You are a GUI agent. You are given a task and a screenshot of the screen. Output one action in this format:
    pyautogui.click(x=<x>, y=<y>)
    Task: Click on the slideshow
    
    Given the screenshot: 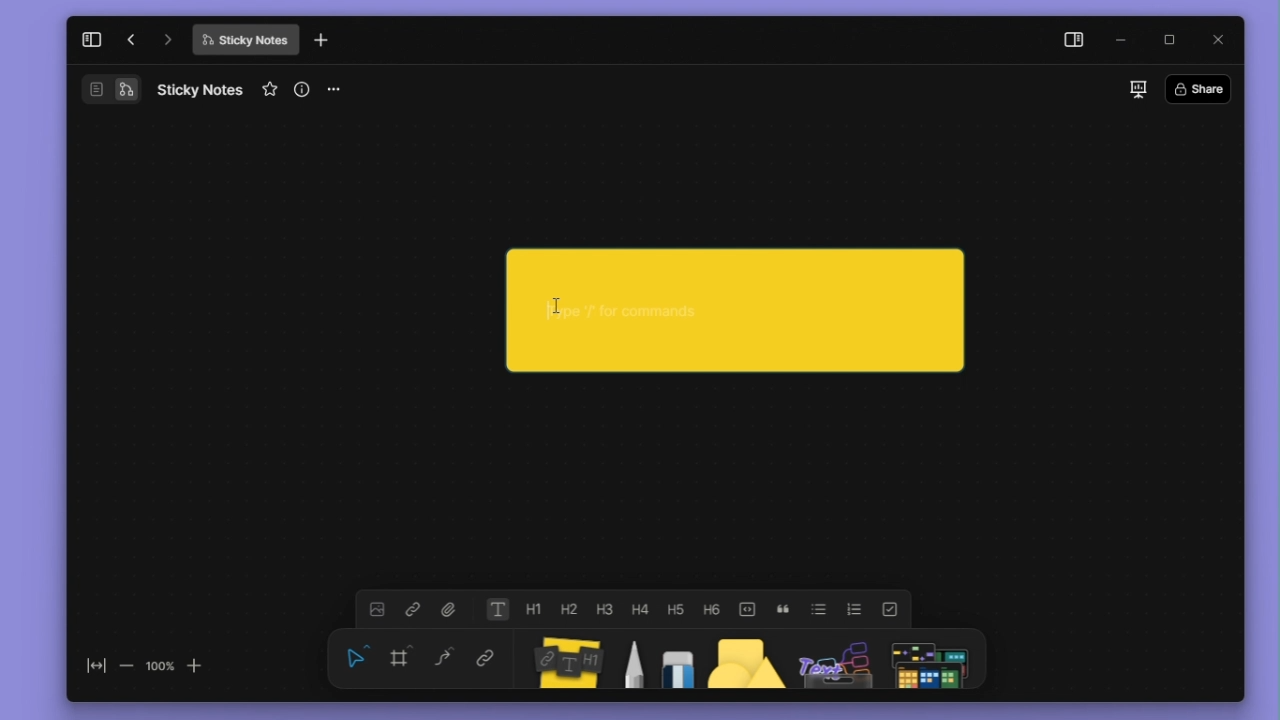 What is the action you would take?
    pyautogui.click(x=1137, y=89)
    